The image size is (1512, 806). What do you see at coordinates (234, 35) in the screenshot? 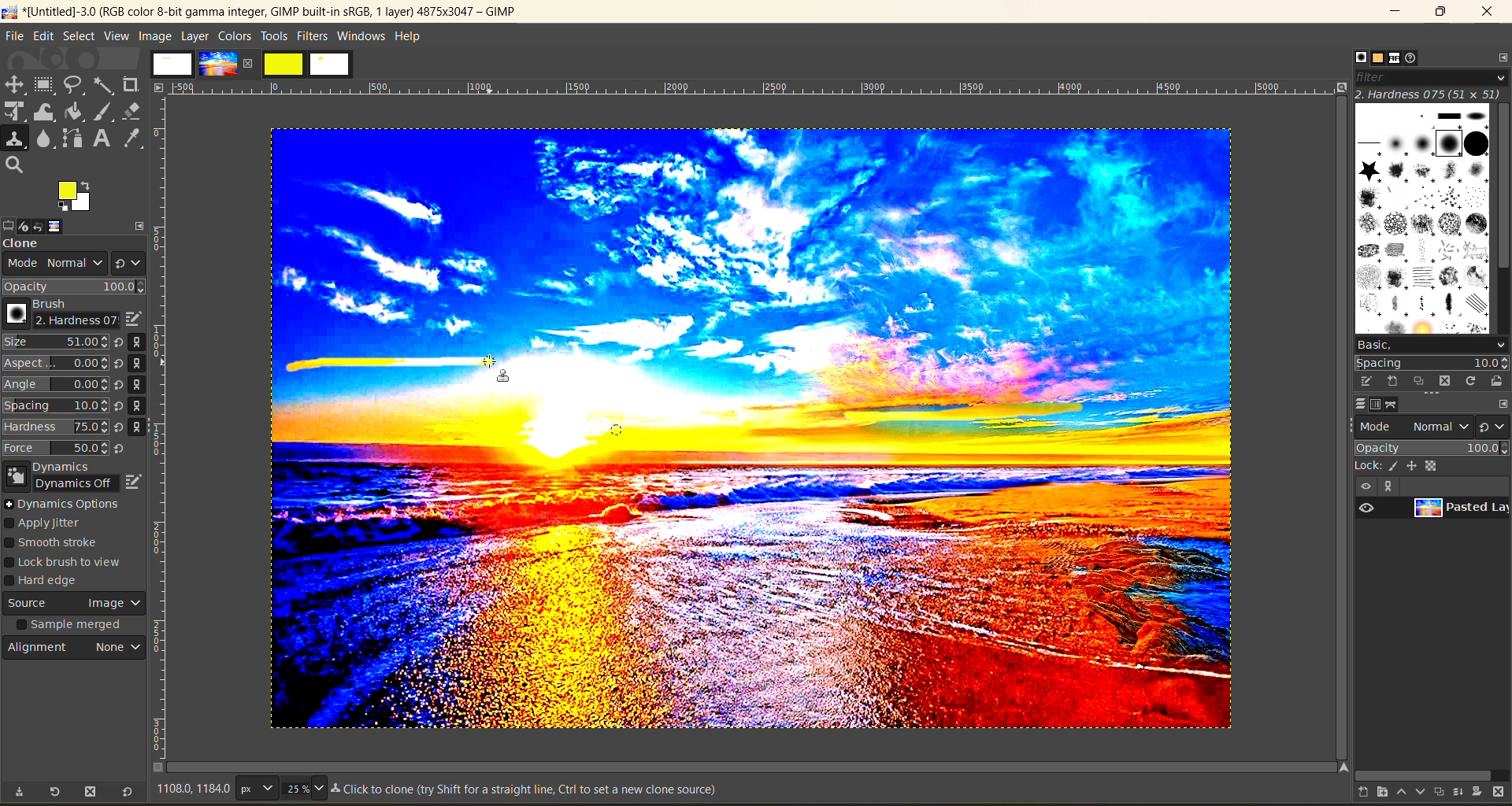
I see `colors` at bounding box center [234, 35].